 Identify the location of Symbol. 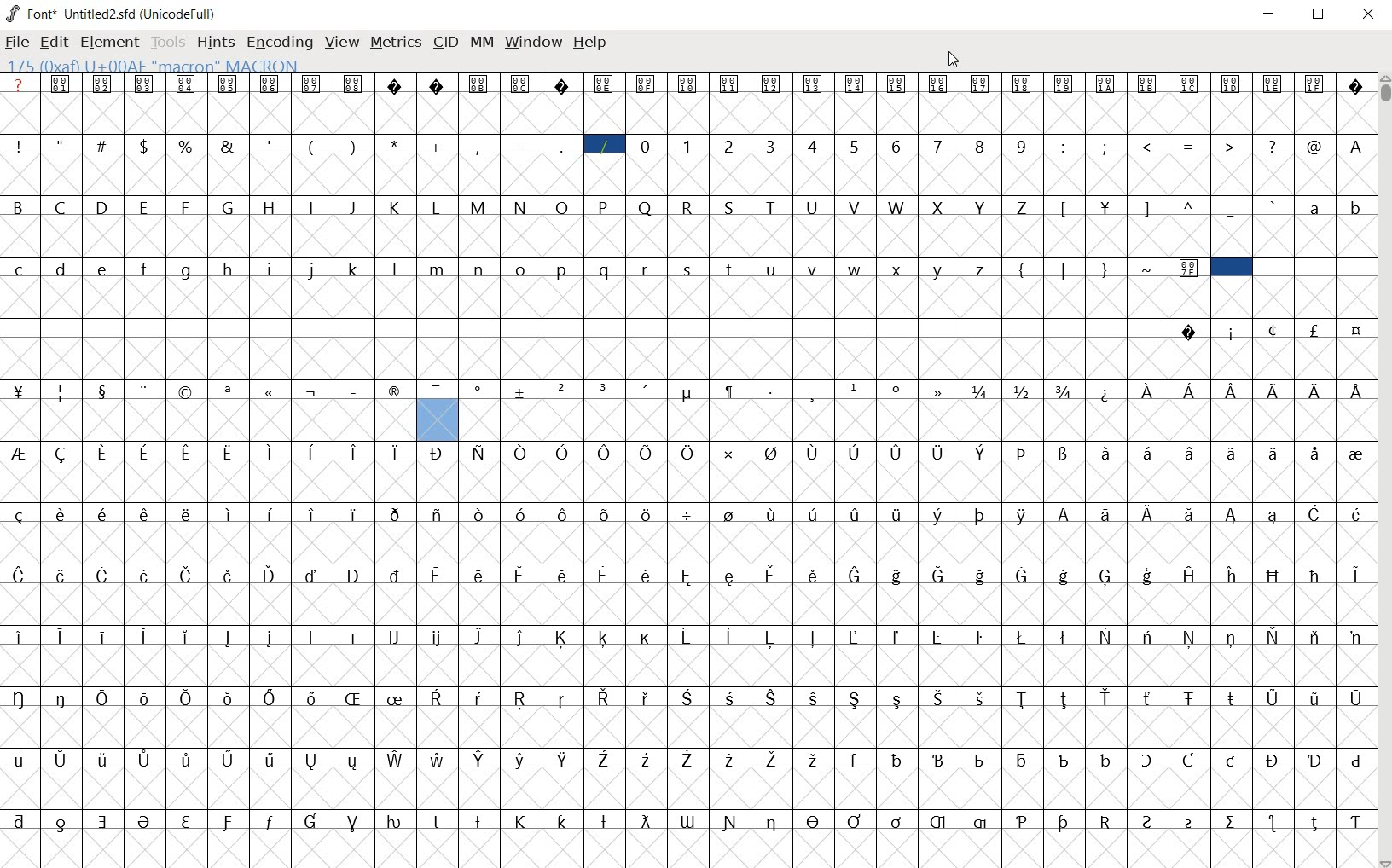
(687, 819).